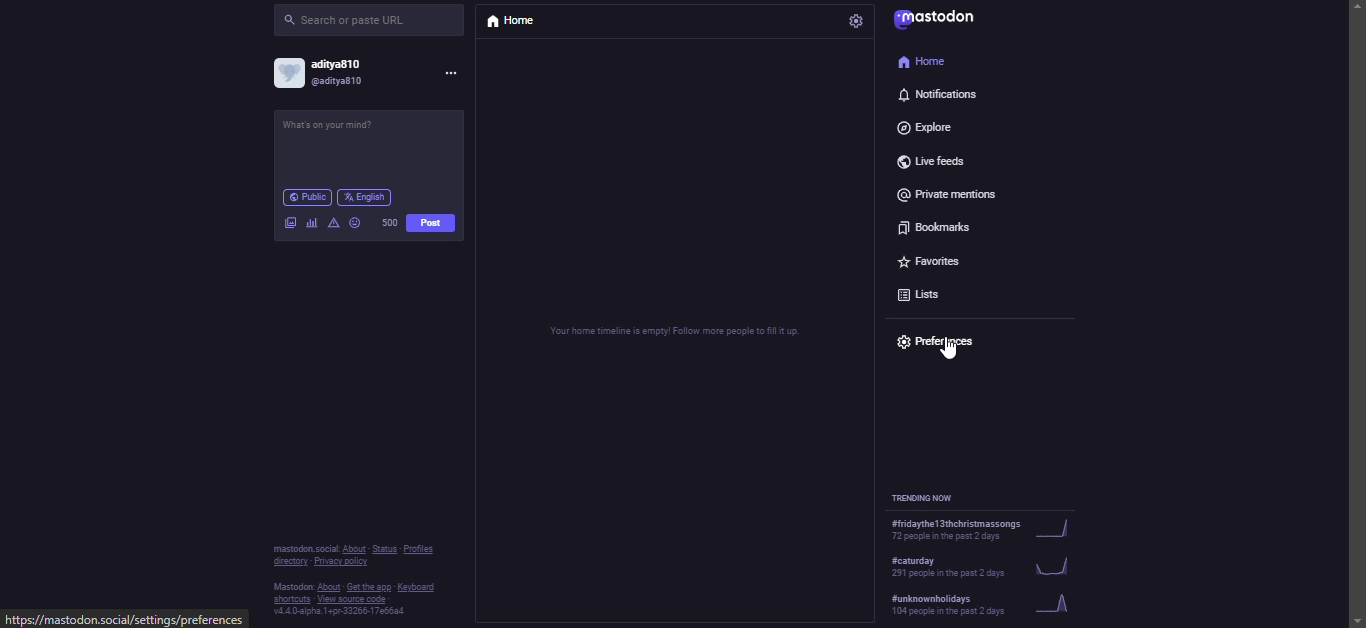 The height and width of the screenshot is (628, 1366). What do you see at coordinates (305, 196) in the screenshot?
I see `public` at bounding box center [305, 196].